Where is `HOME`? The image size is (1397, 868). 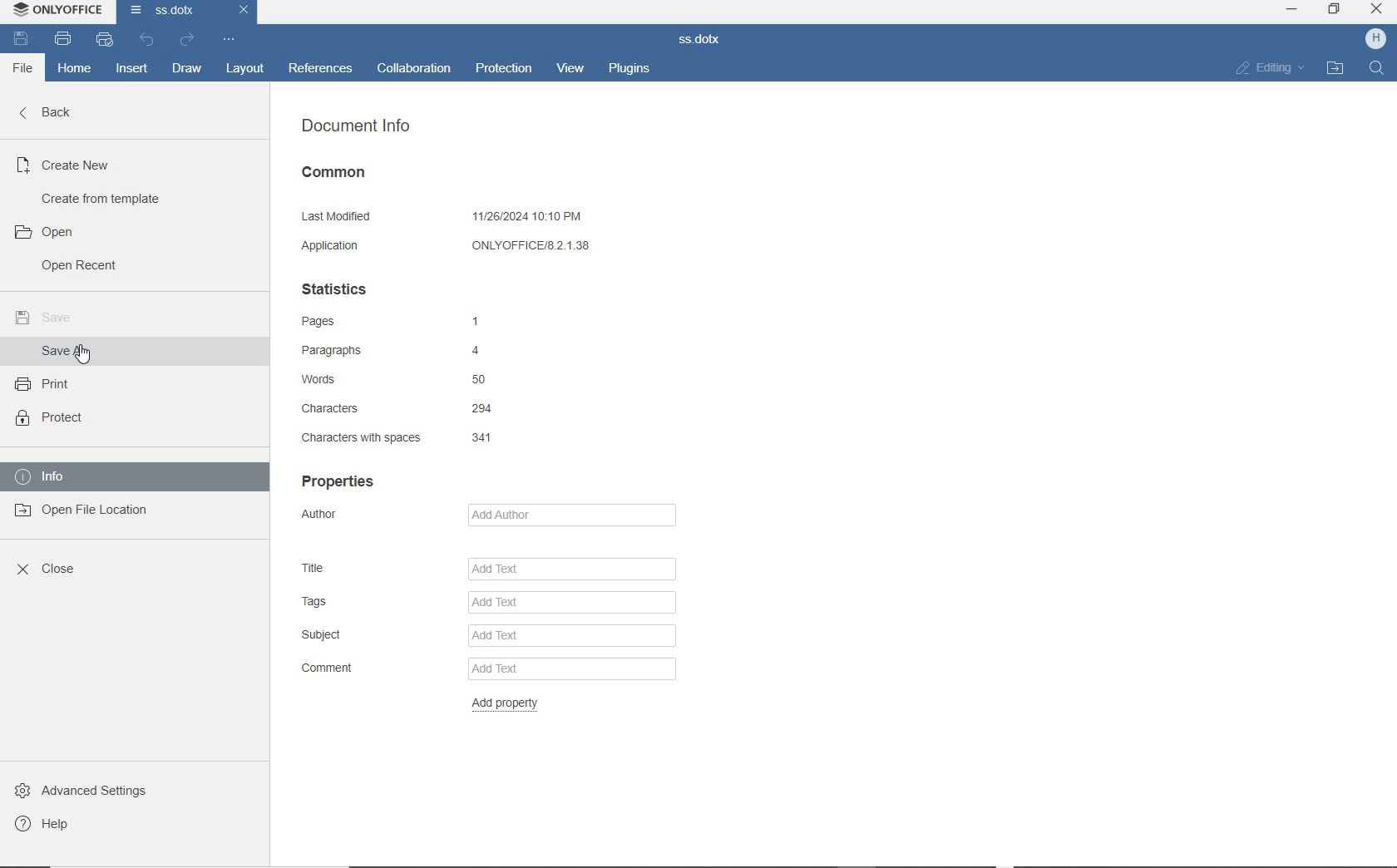 HOME is located at coordinates (73, 70).